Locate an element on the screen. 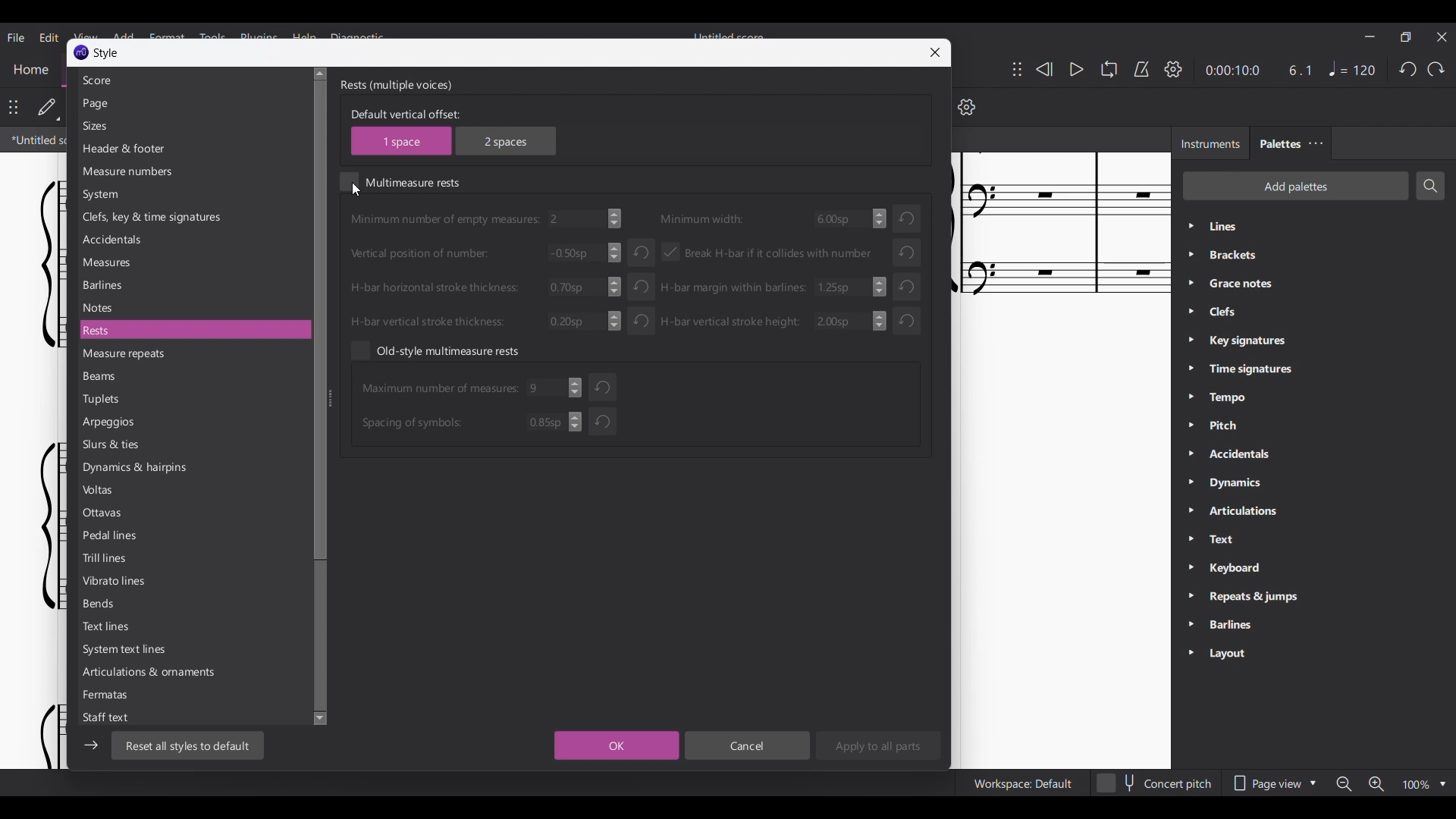 This screenshot has width=1456, height=819. Page is located at coordinates (193, 104).